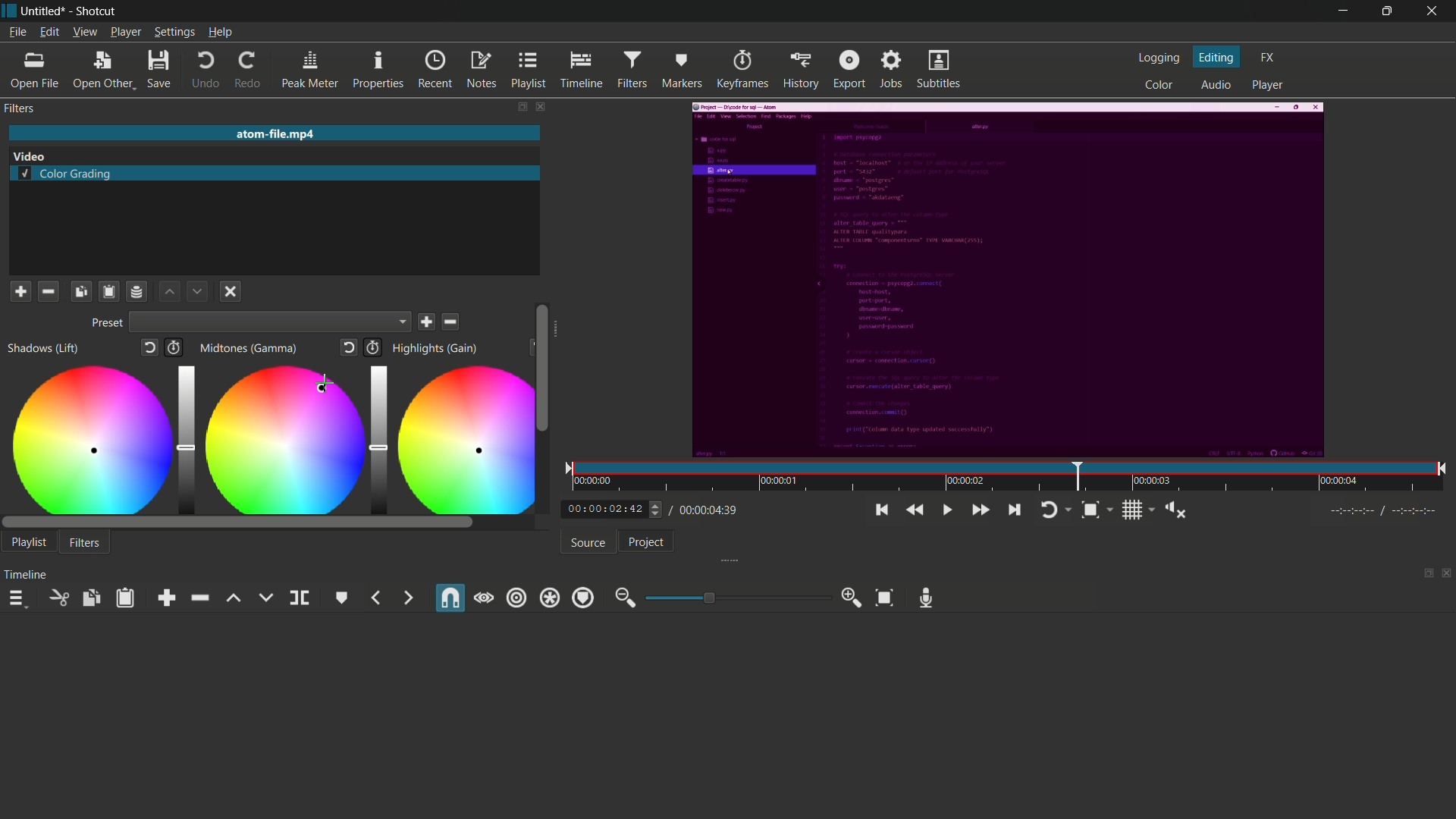  Describe the element at coordinates (81, 290) in the screenshot. I see `Copy` at that location.